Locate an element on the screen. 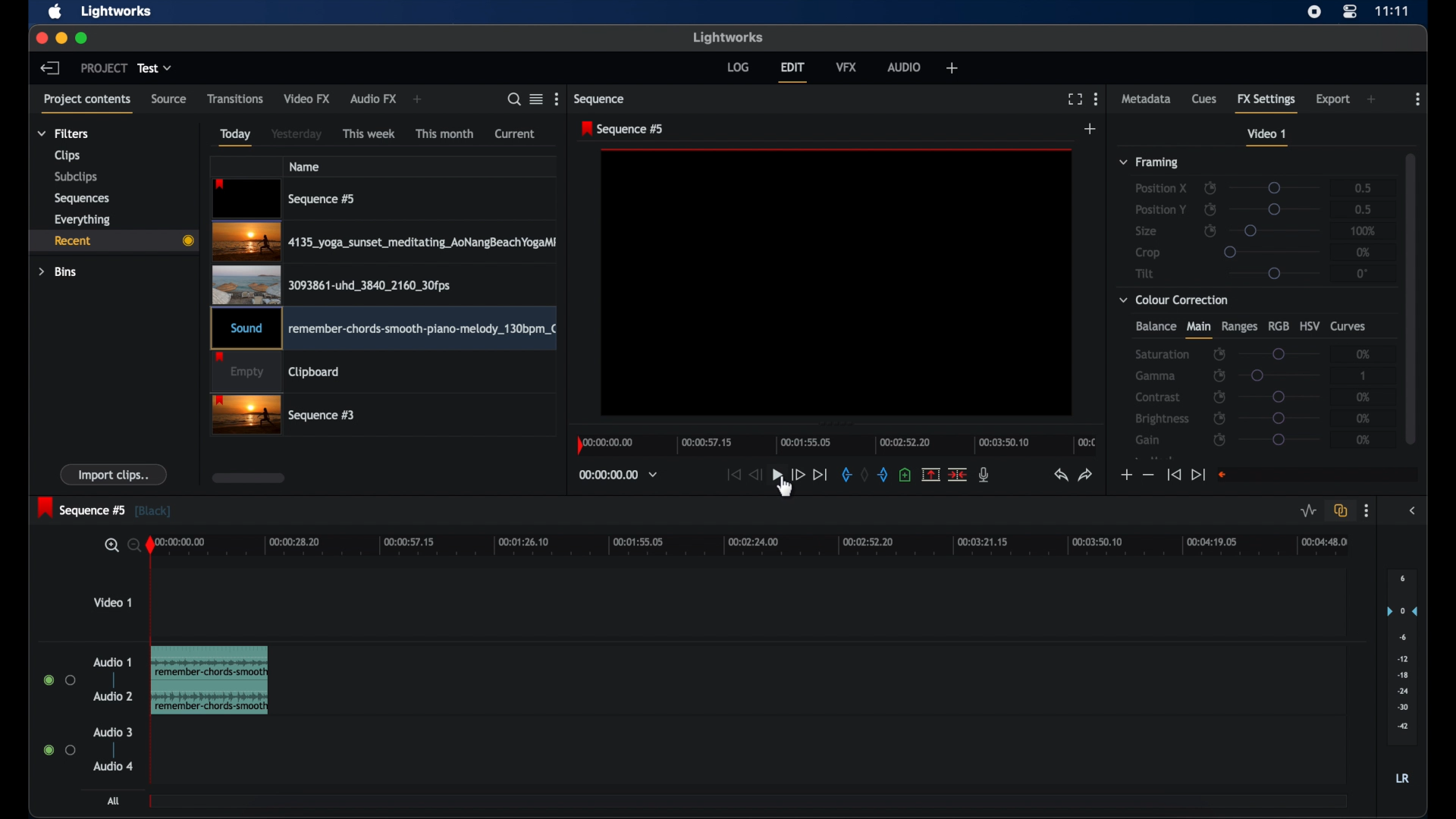  brightness is located at coordinates (1163, 419).